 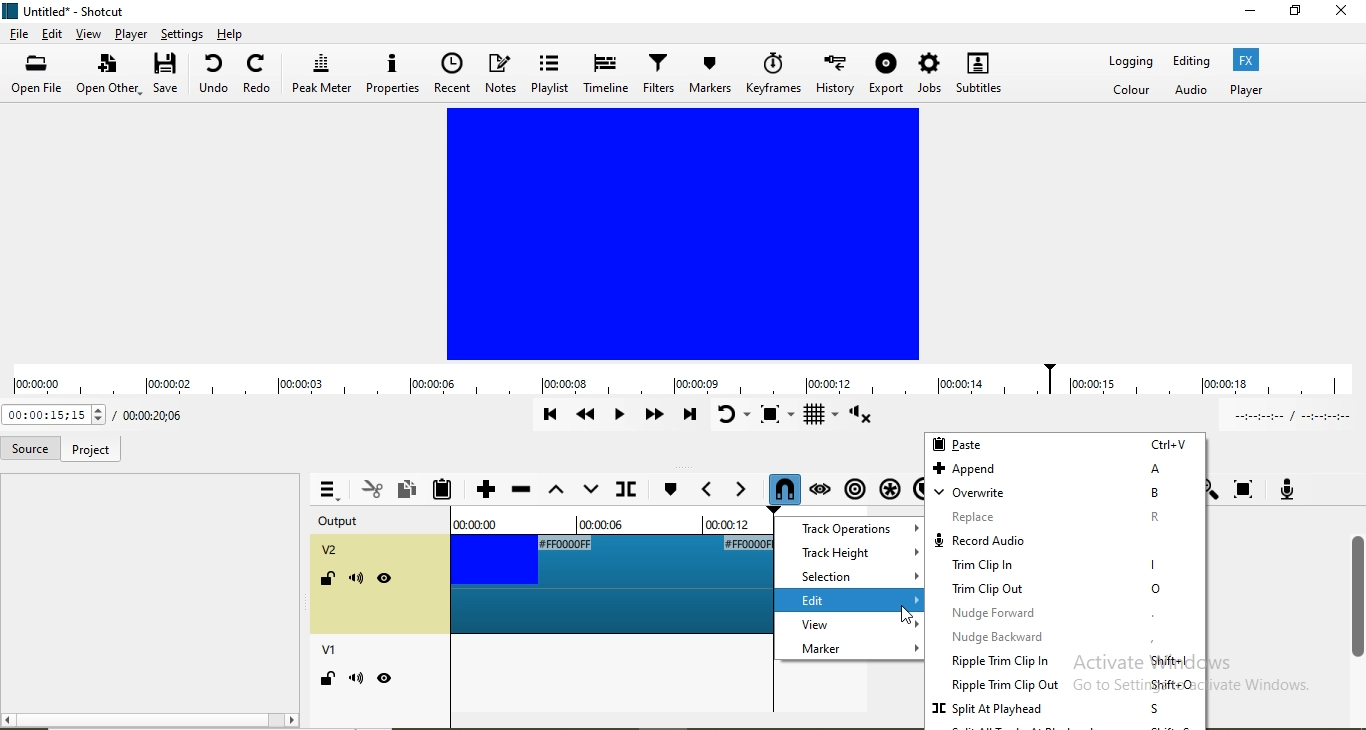 I want to click on open other, so click(x=109, y=76).